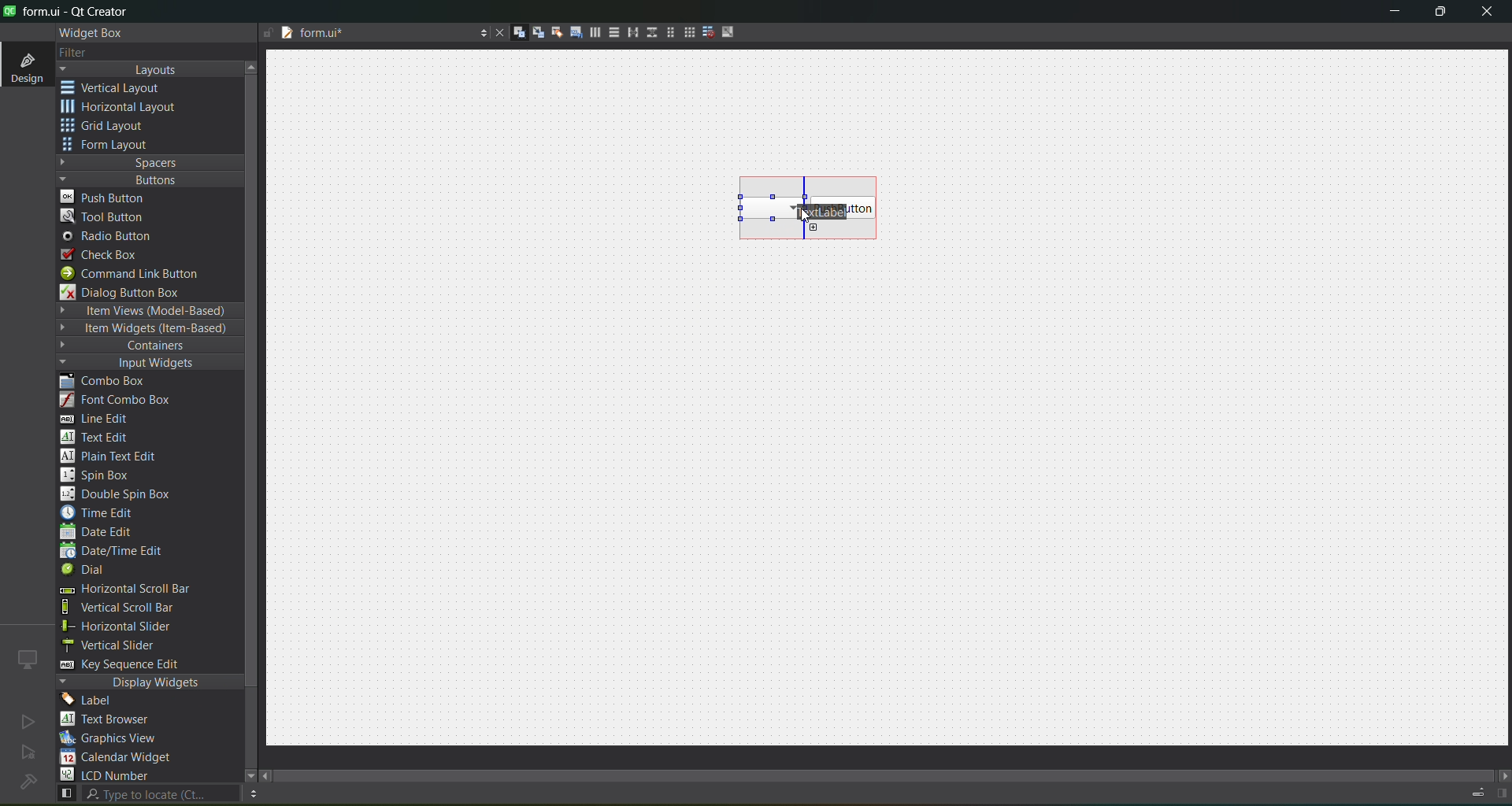 This screenshot has height=806, width=1512. What do you see at coordinates (105, 196) in the screenshot?
I see `push` at bounding box center [105, 196].